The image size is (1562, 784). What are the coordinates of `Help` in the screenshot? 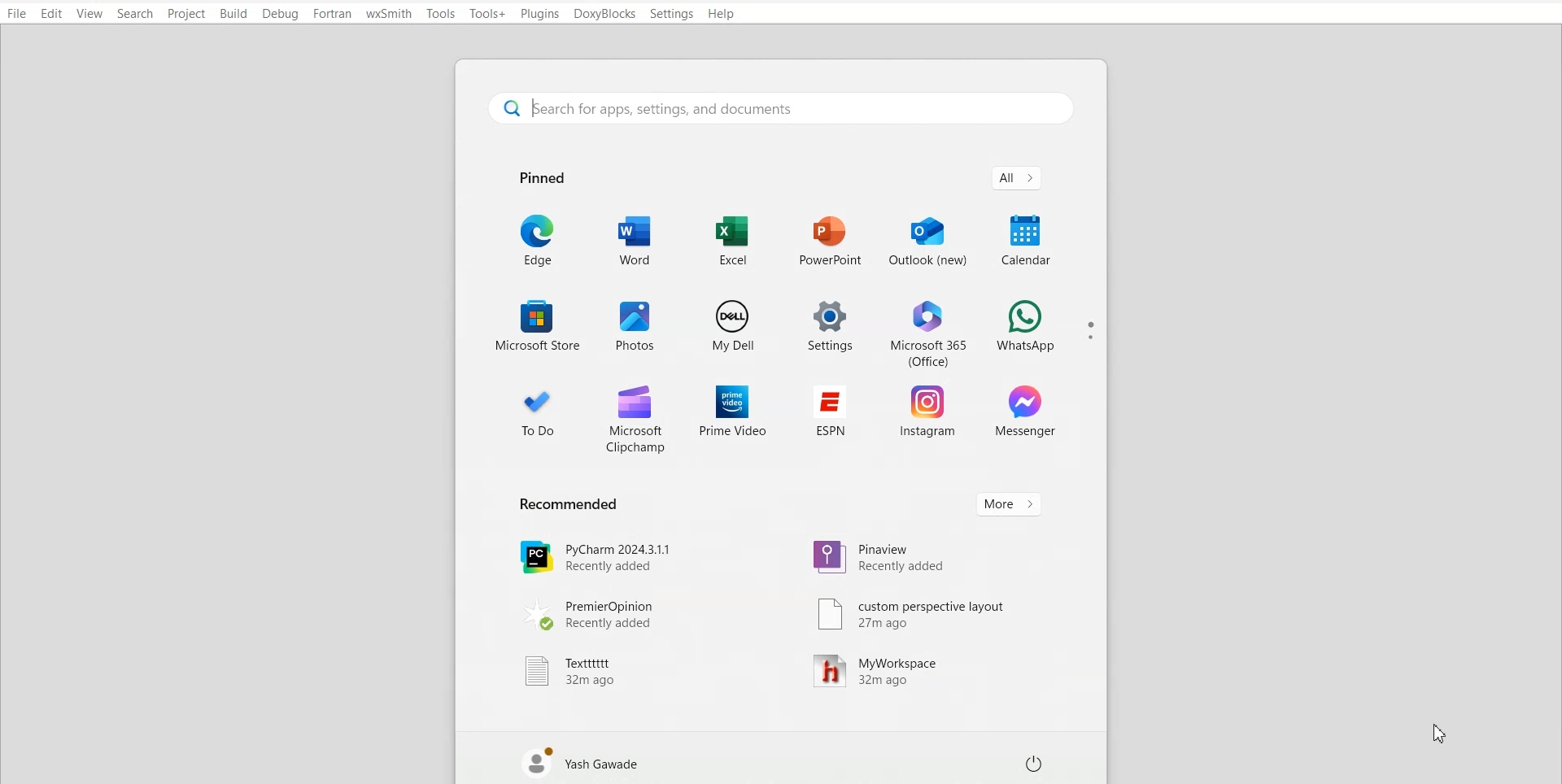 It's located at (721, 15).